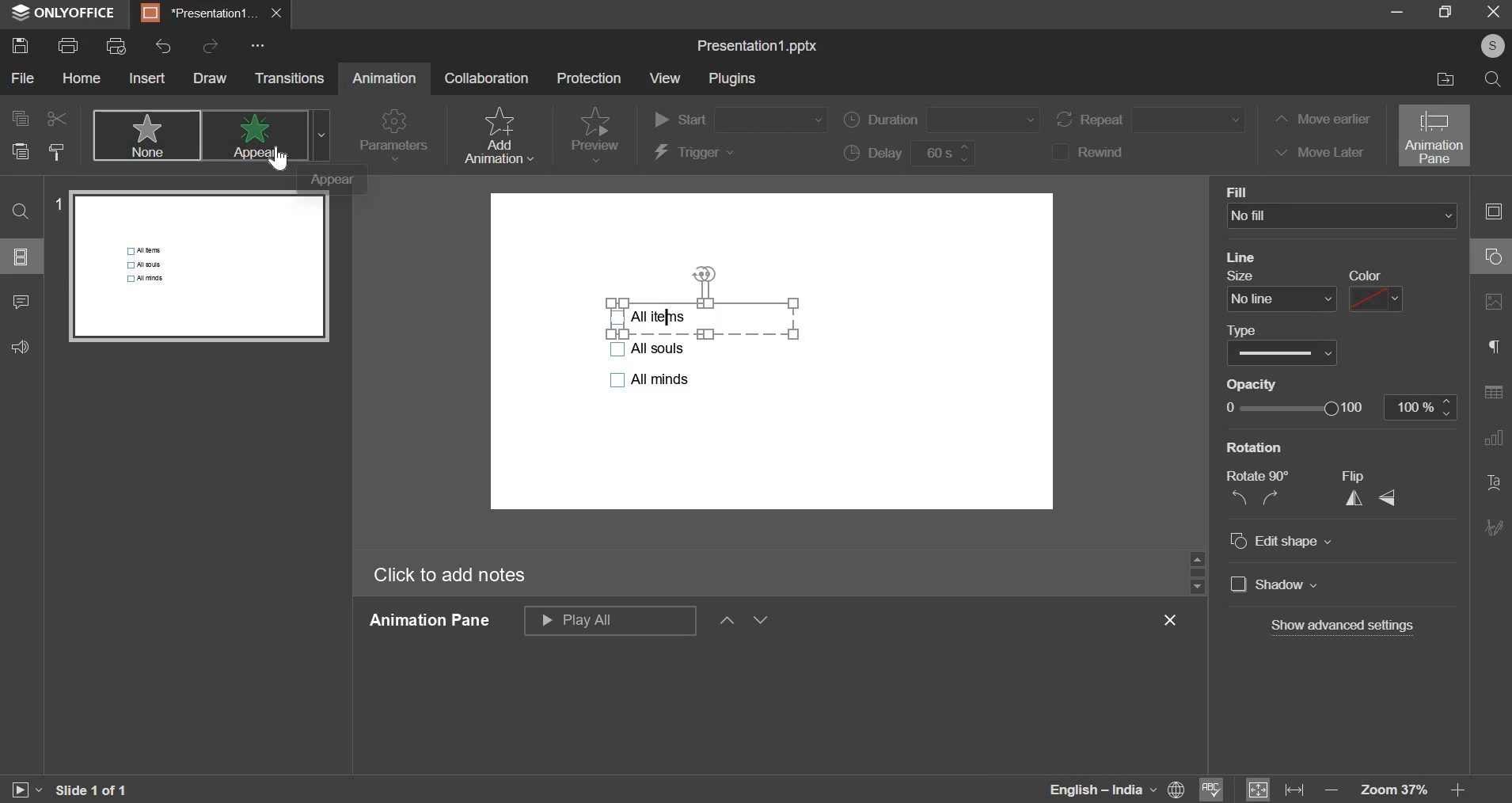 The image size is (1512, 803). What do you see at coordinates (1275, 584) in the screenshot?
I see `shadow` at bounding box center [1275, 584].